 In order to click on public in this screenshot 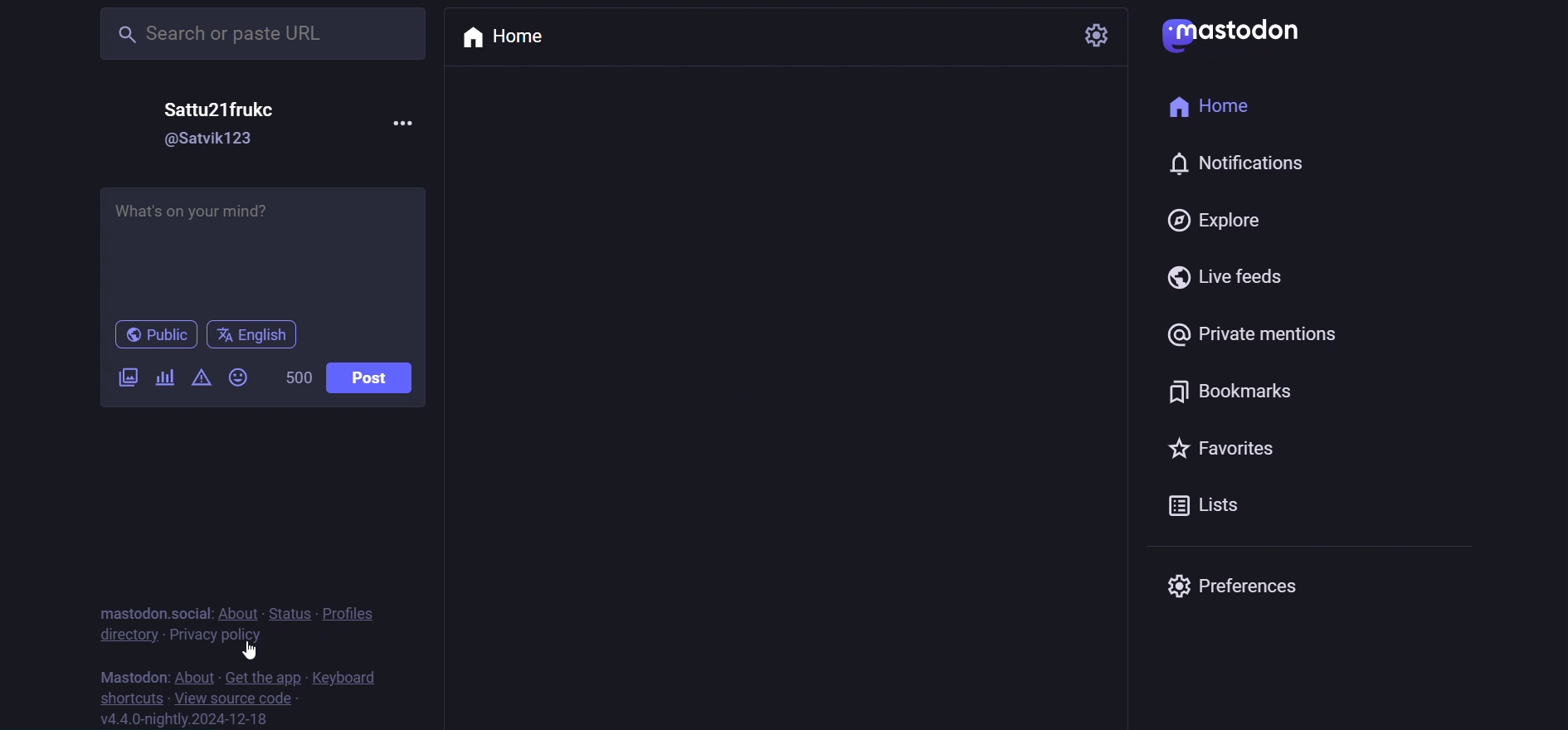, I will do `click(151, 334)`.